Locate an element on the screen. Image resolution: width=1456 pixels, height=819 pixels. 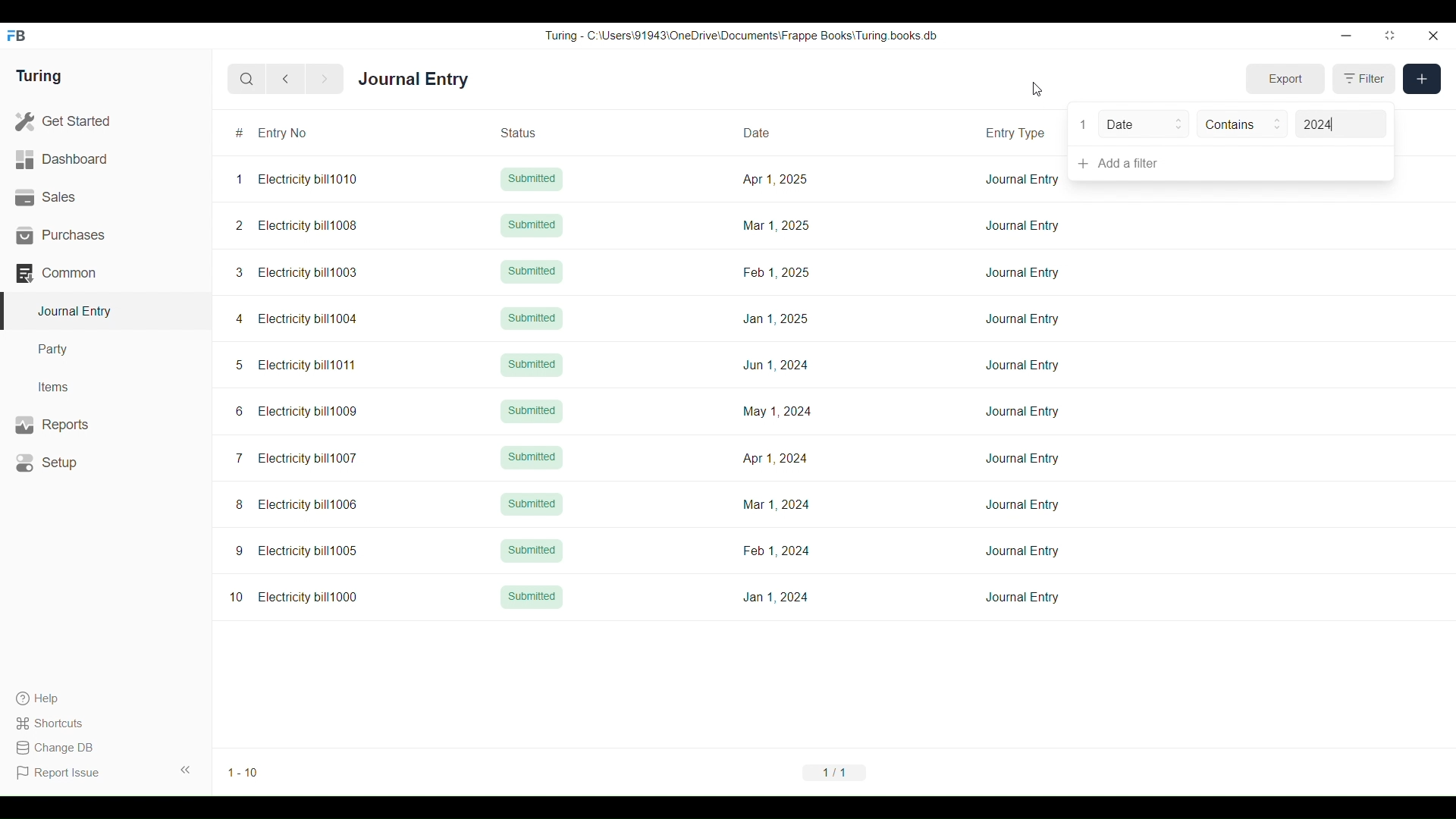
Value is located at coordinates (1362, 124).